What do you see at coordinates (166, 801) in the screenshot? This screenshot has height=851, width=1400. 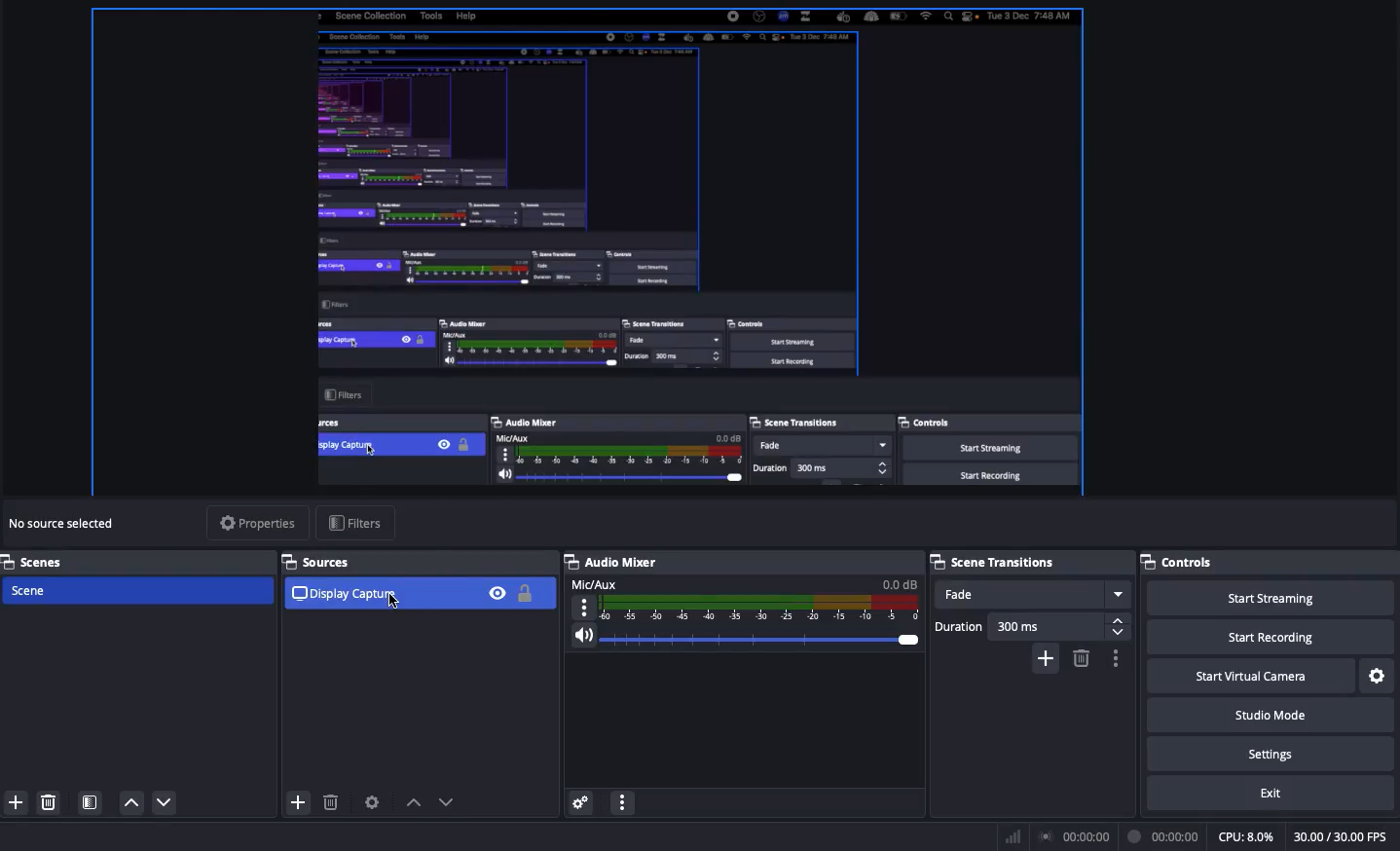 I see `Move down` at bounding box center [166, 801].